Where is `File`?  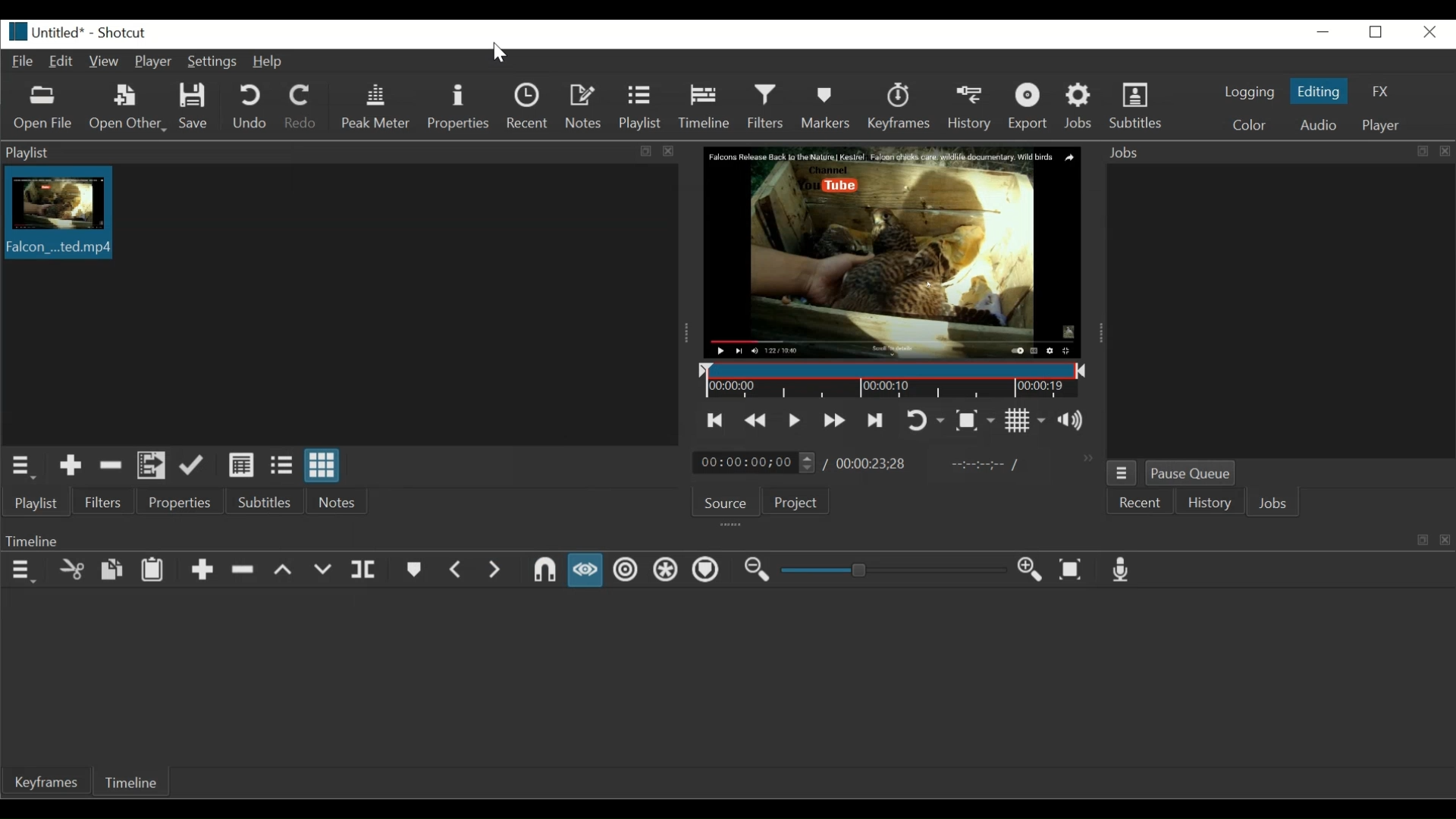 File is located at coordinates (25, 61).